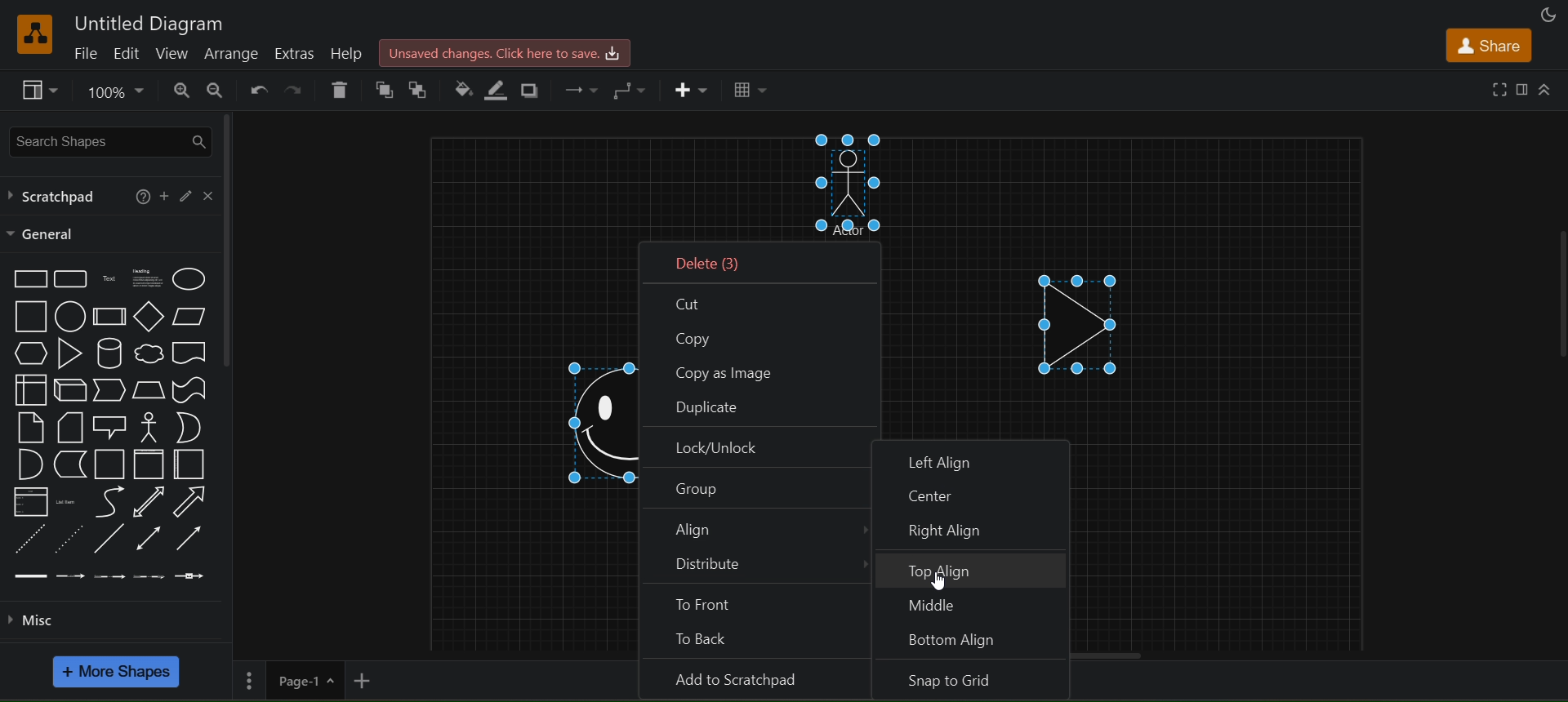 This screenshot has height=702, width=1568. What do you see at coordinates (973, 567) in the screenshot?
I see `top align` at bounding box center [973, 567].